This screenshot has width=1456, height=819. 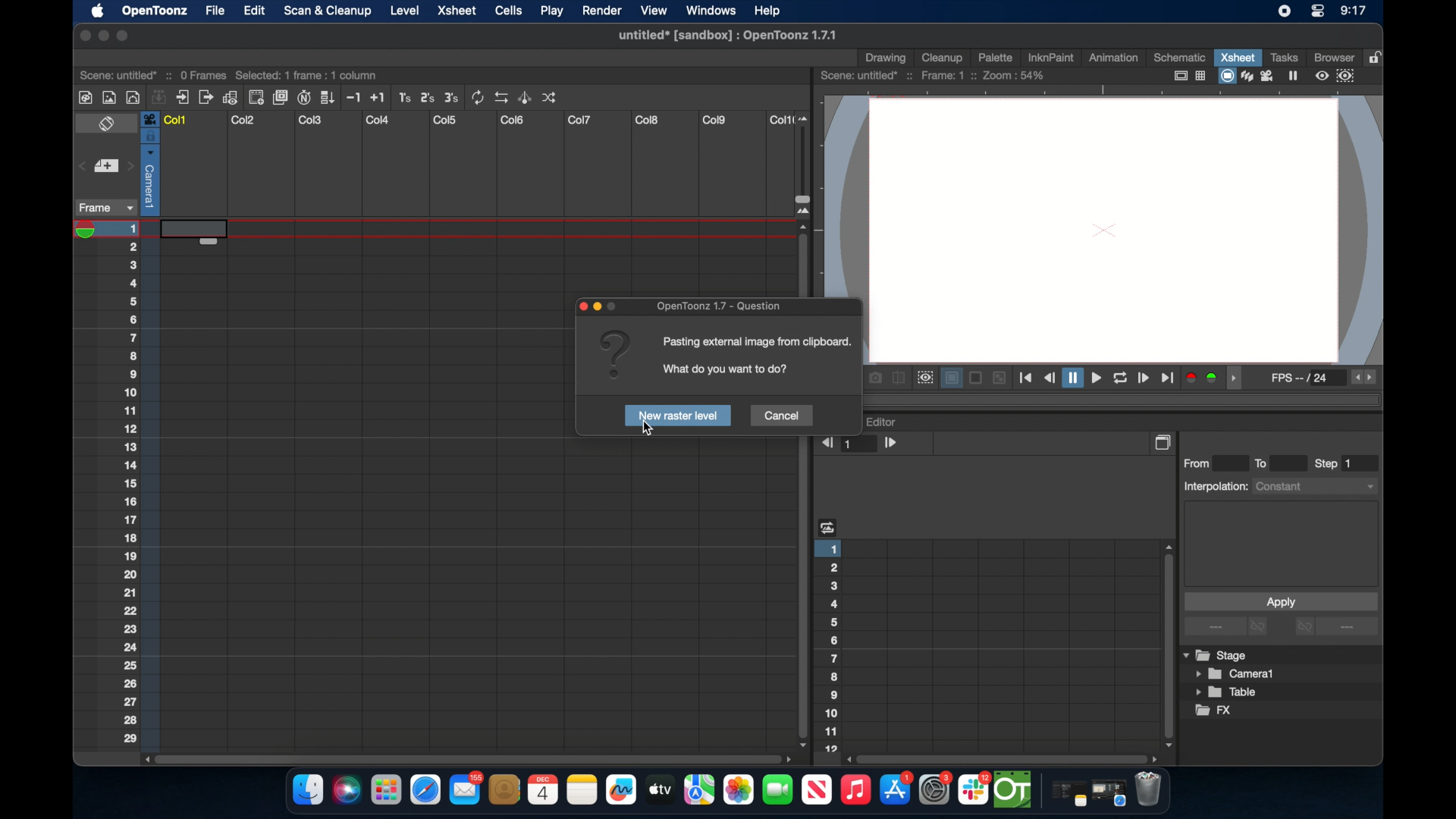 I want to click on contacts, so click(x=505, y=789).